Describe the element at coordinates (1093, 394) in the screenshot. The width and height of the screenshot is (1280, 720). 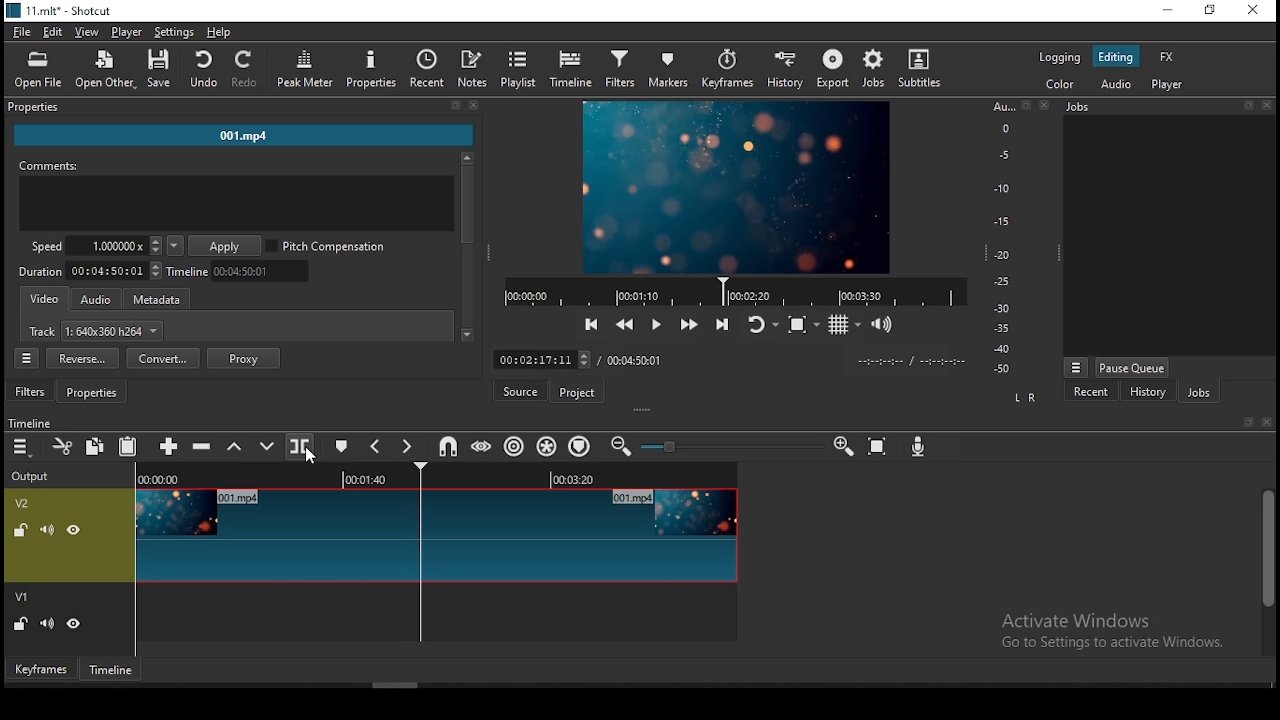
I see `recent` at that location.